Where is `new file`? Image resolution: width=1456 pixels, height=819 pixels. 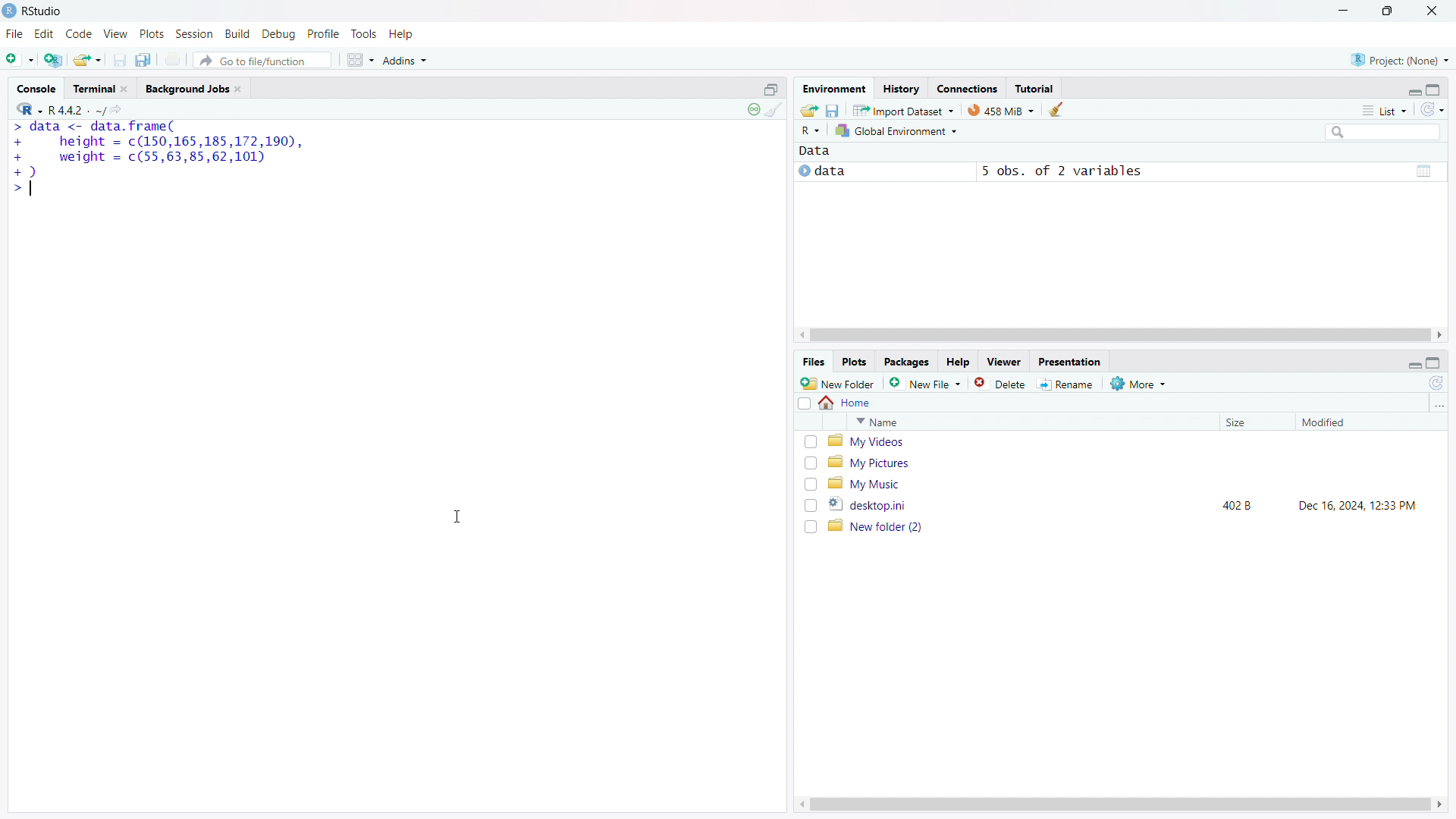 new file is located at coordinates (20, 57).